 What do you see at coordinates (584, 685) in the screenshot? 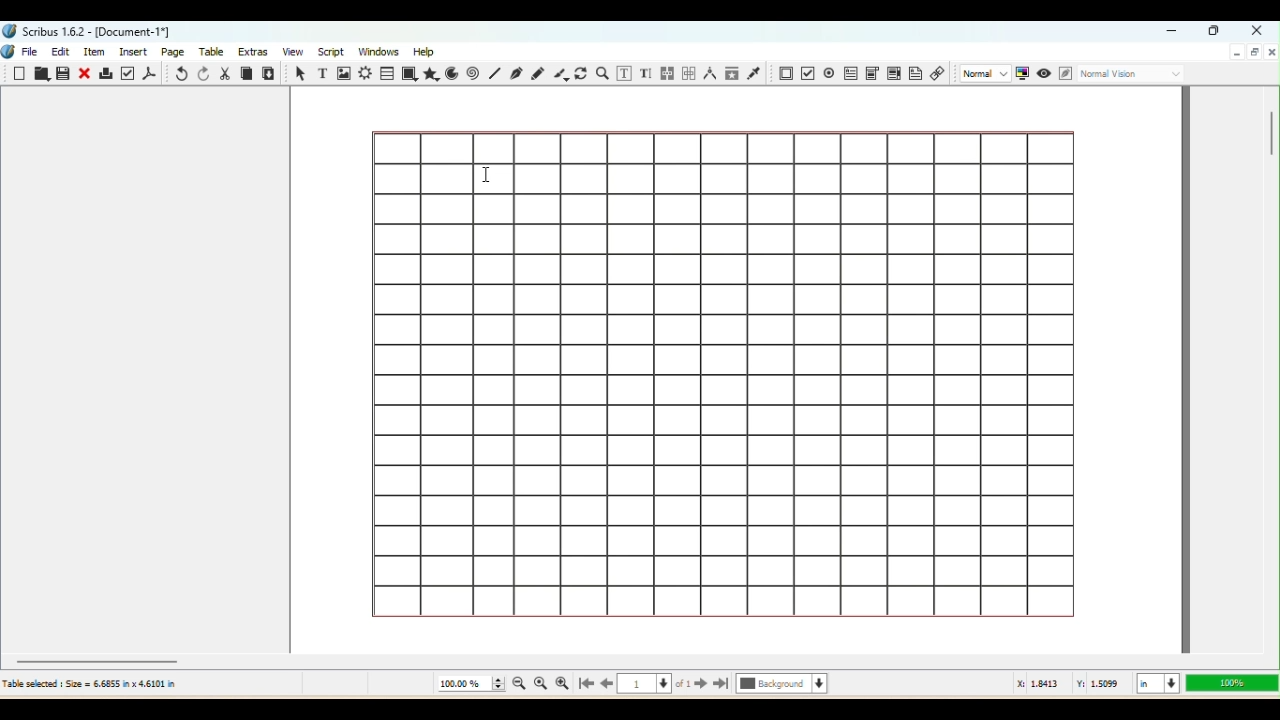
I see `Go to the first page` at bounding box center [584, 685].